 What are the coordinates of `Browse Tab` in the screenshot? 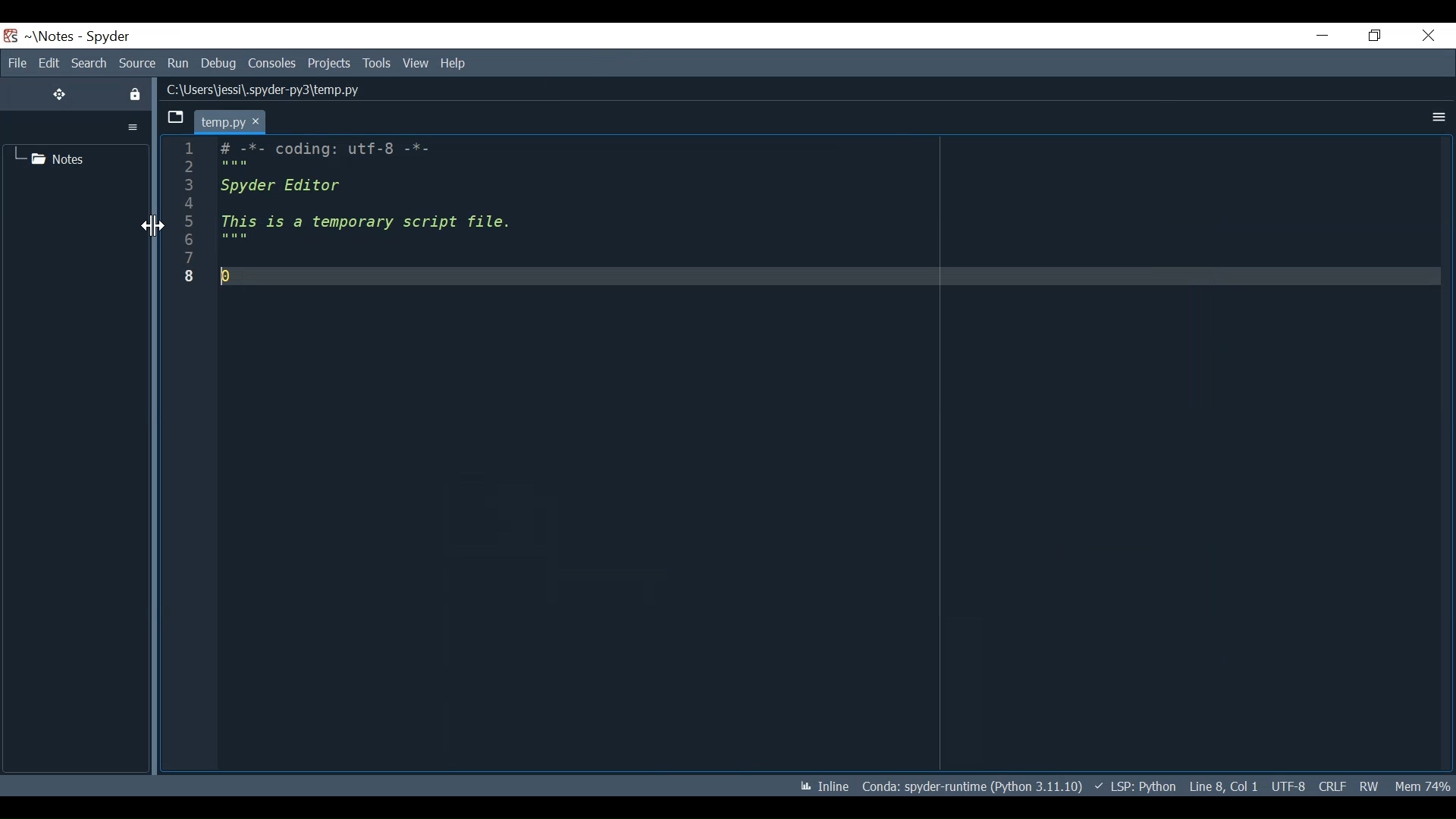 It's located at (175, 117).